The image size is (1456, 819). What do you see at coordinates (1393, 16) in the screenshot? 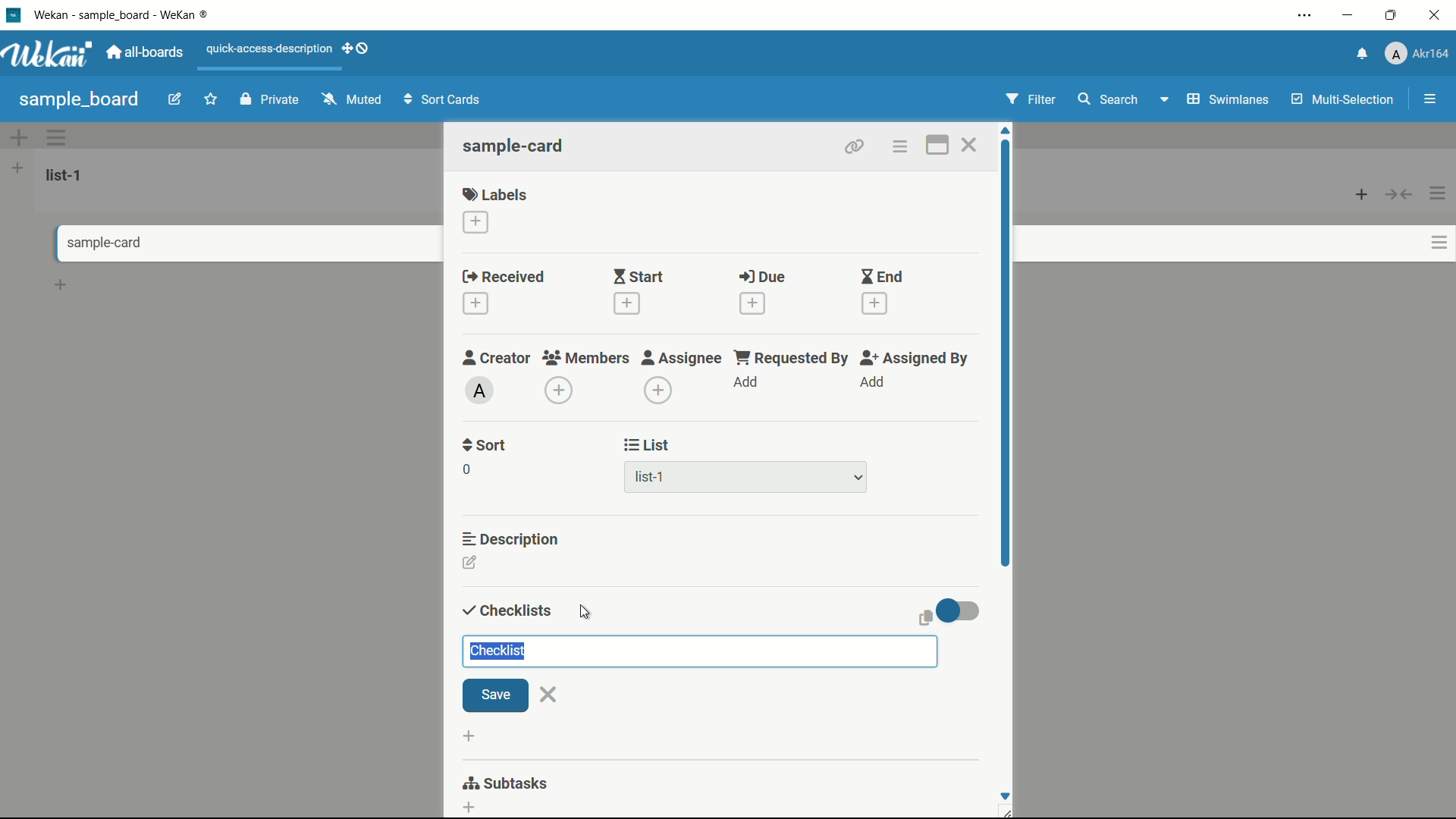
I see `maximize` at bounding box center [1393, 16].